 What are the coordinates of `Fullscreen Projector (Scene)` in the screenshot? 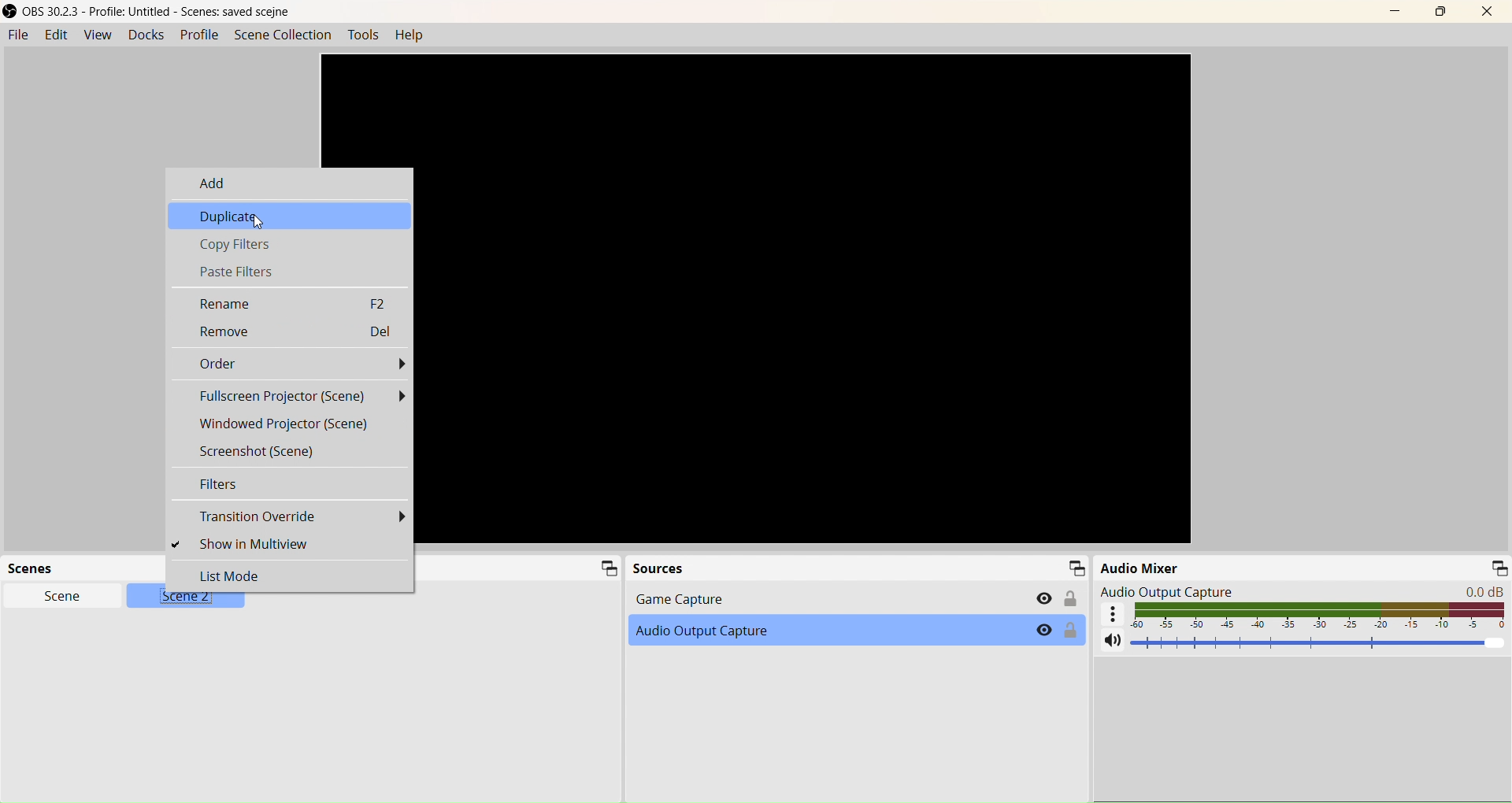 It's located at (290, 396).